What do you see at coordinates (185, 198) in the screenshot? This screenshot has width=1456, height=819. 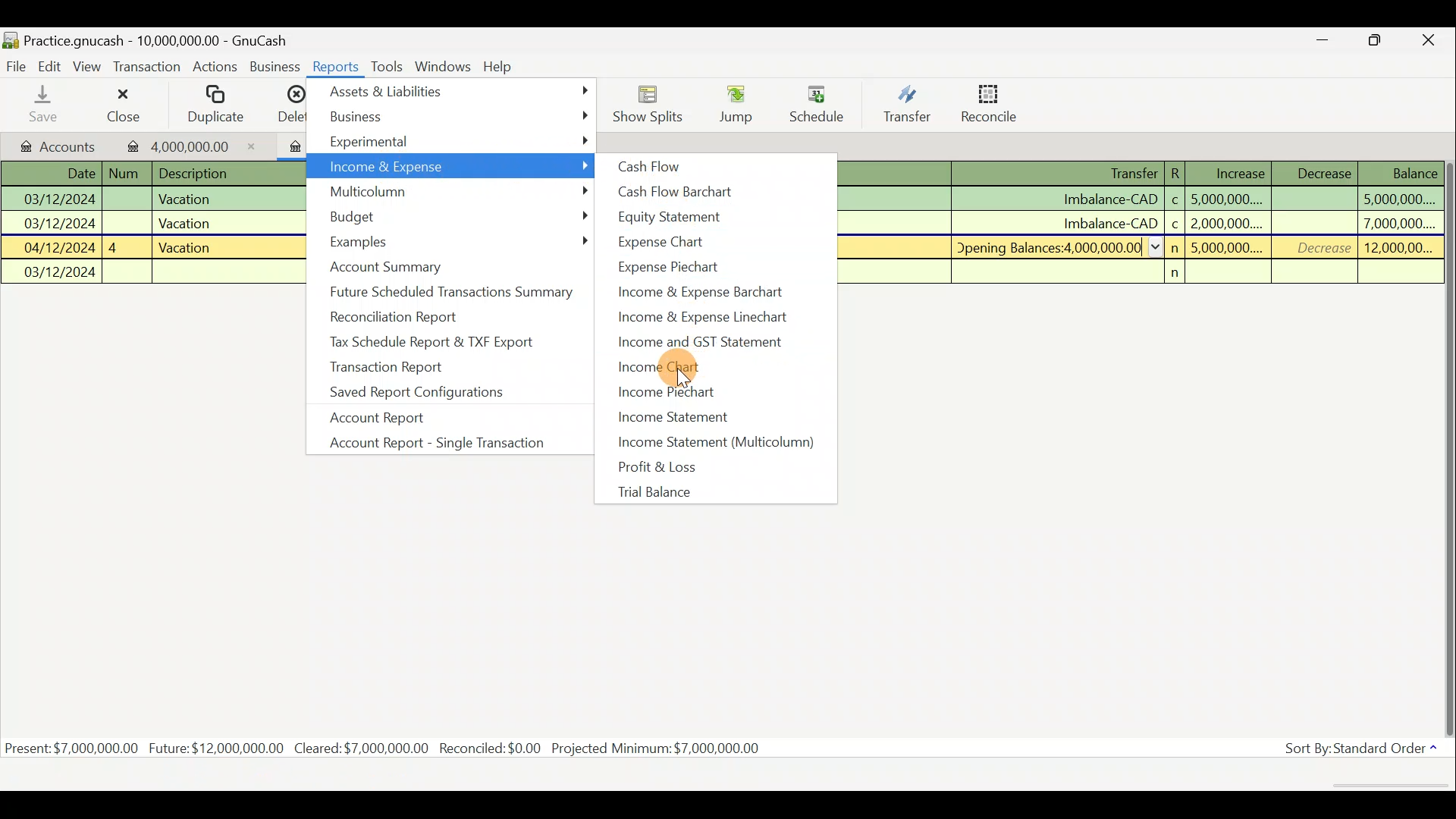 I see `Vacation` at bounding box center [185, 198].